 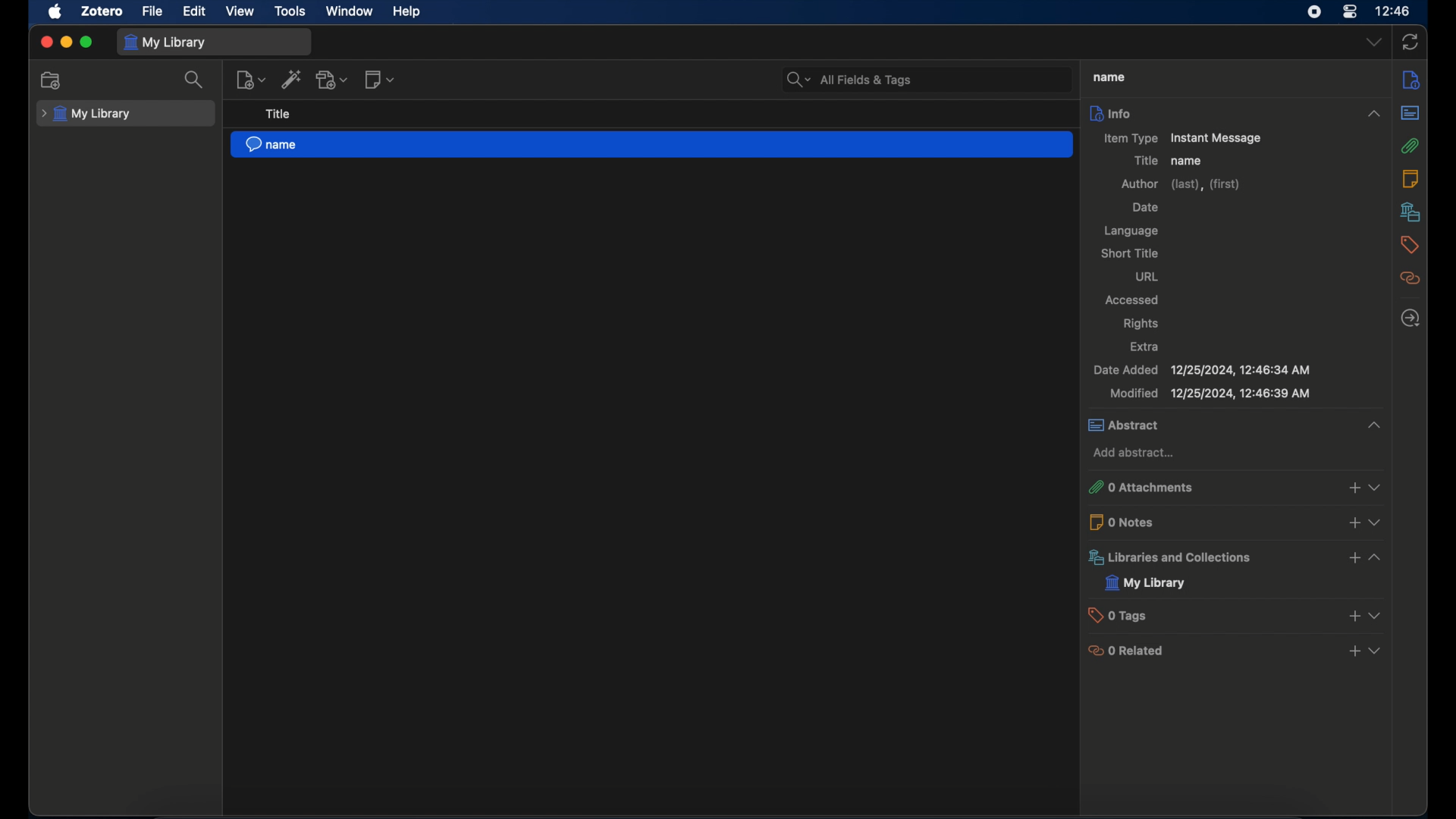 What do you see at coordinates (1411, 114) in the screenshot?
I see `abstract` at bounding box center [1411, 114].